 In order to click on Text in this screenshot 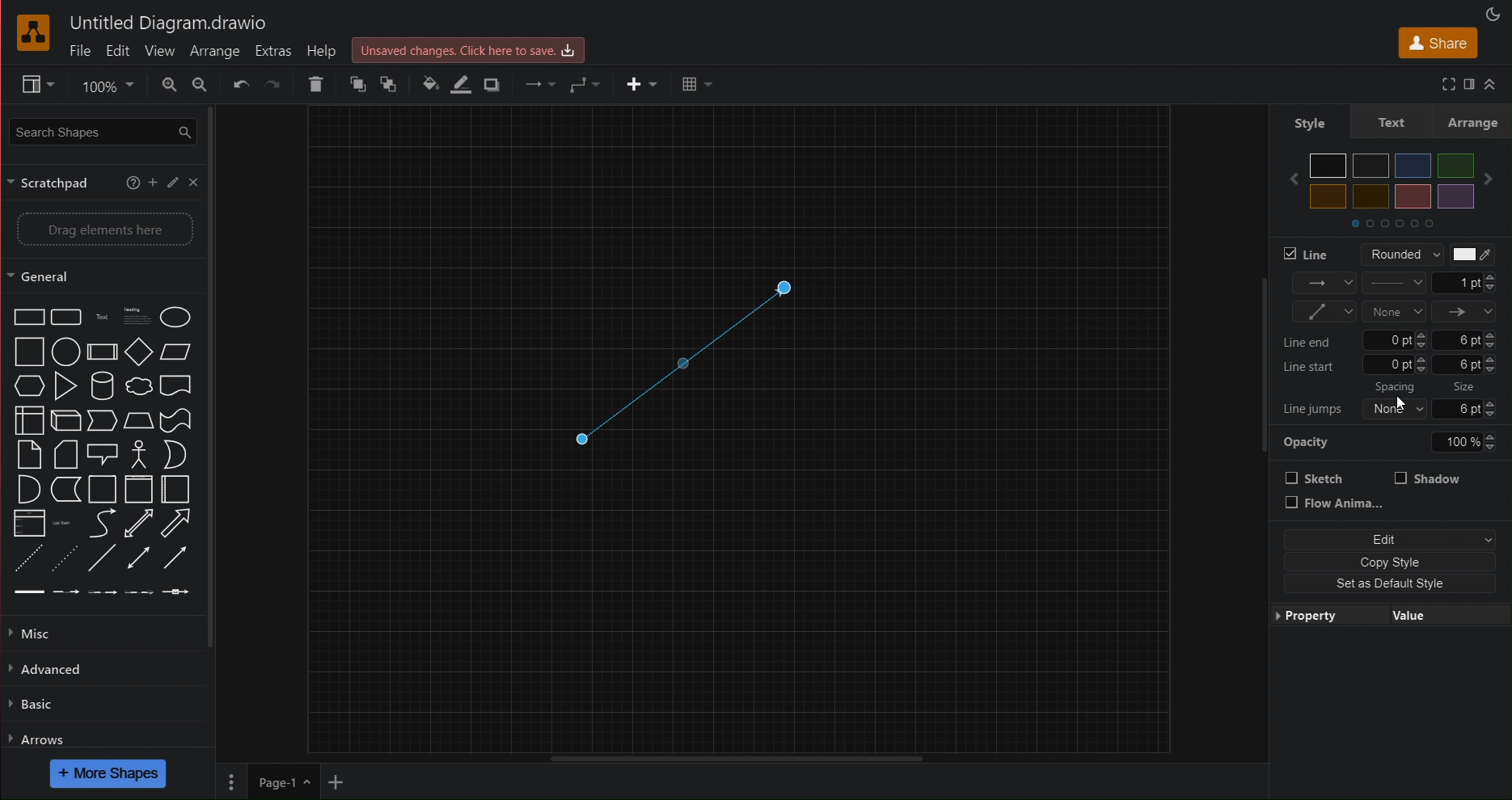, I will do `click(1390, 123)`.